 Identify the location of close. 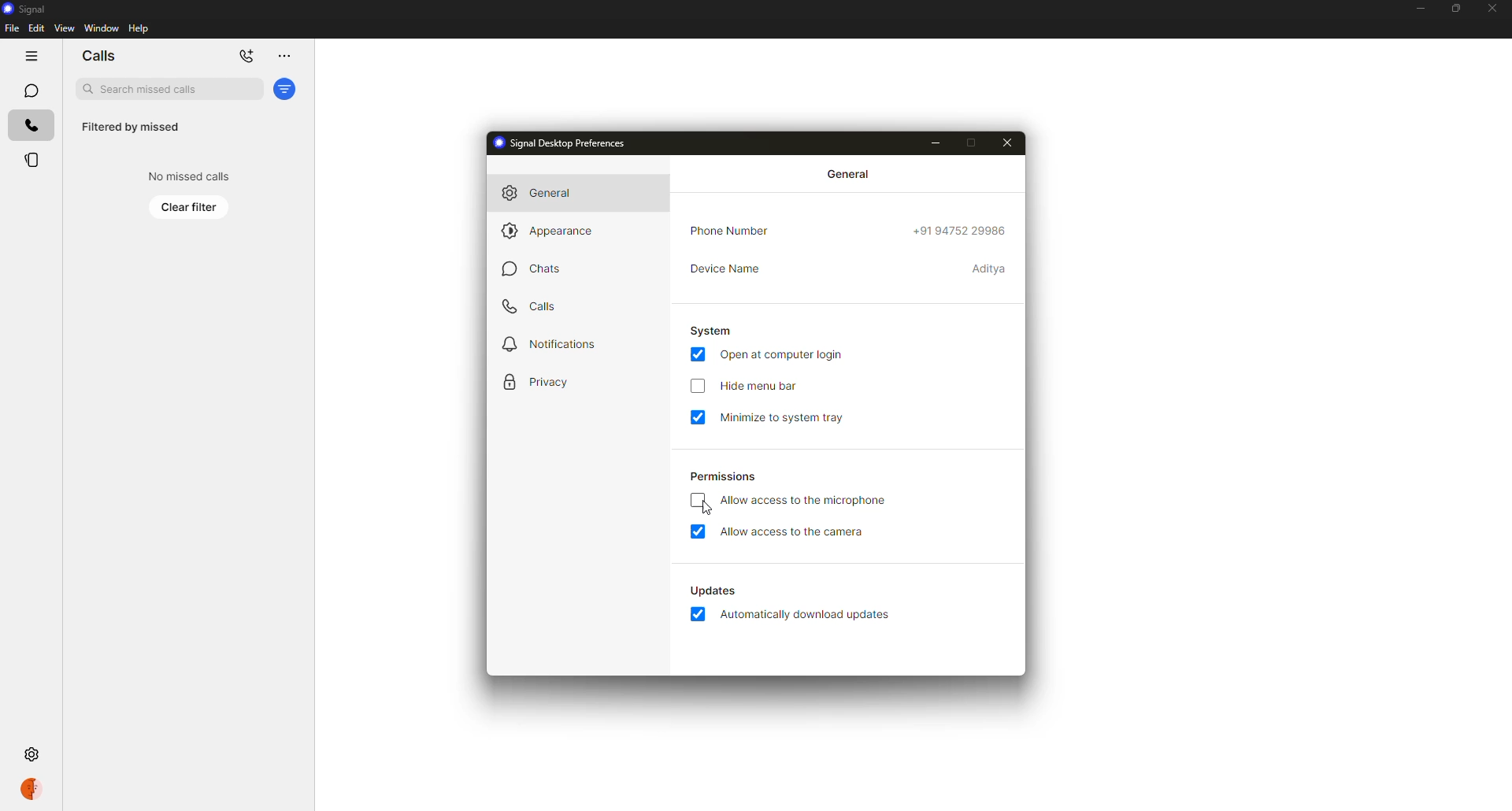
(1493, 10).